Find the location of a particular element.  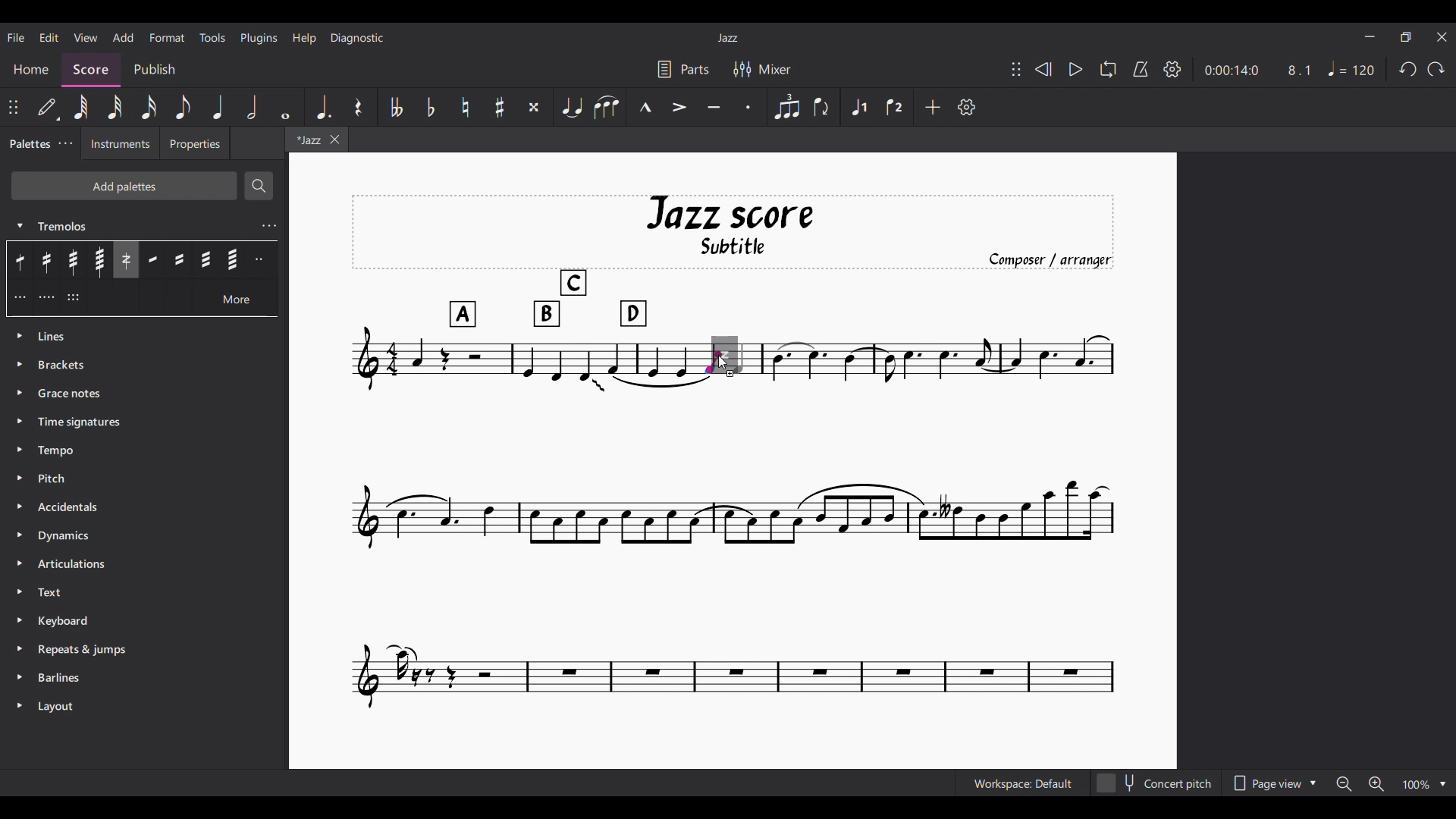

Edit is located at coordinates (49, 37).